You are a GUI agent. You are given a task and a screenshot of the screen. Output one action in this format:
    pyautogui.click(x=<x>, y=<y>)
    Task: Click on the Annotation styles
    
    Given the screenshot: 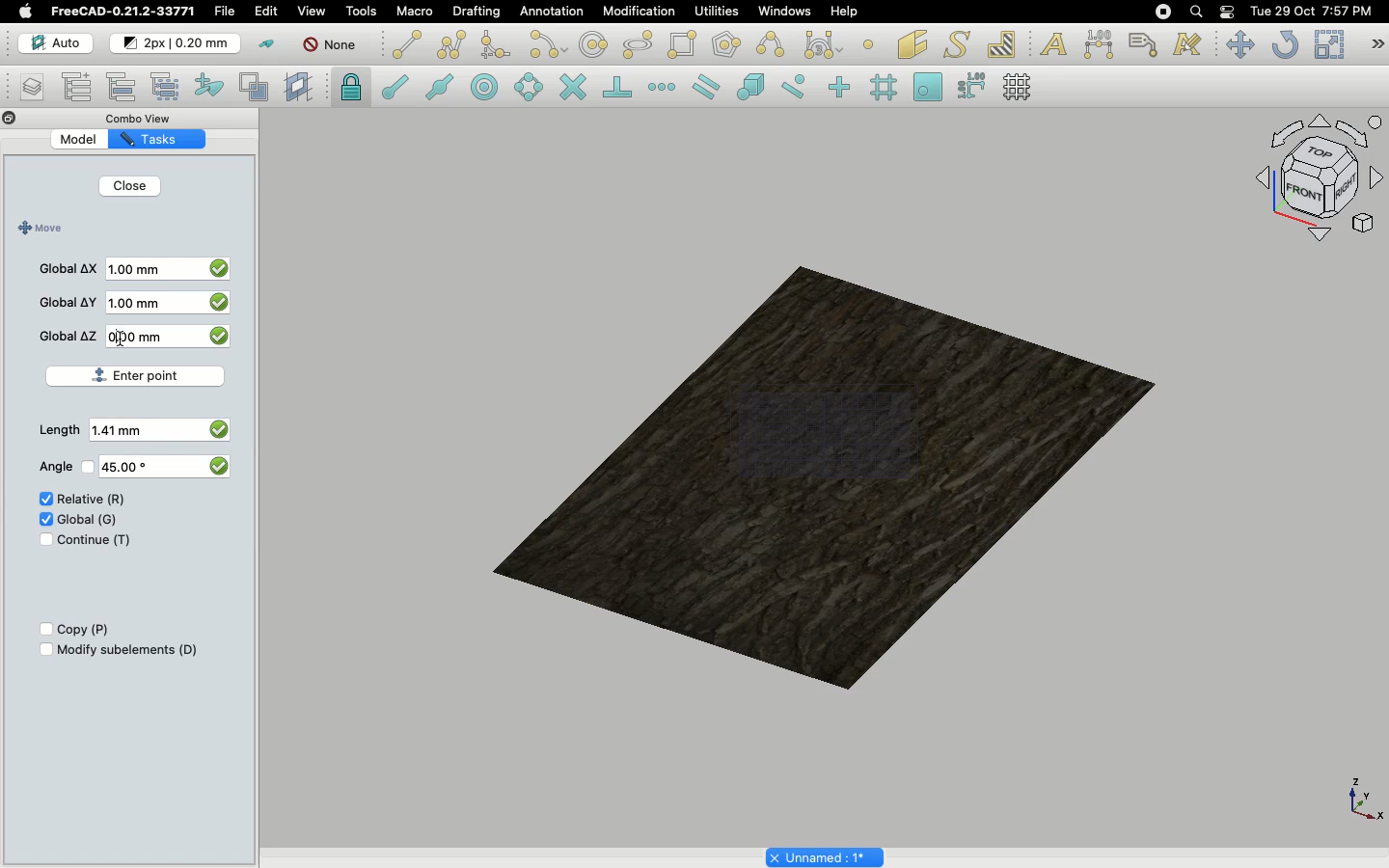 What is the action you would take?
    pyautogui.click(x=1188, y=44)
    